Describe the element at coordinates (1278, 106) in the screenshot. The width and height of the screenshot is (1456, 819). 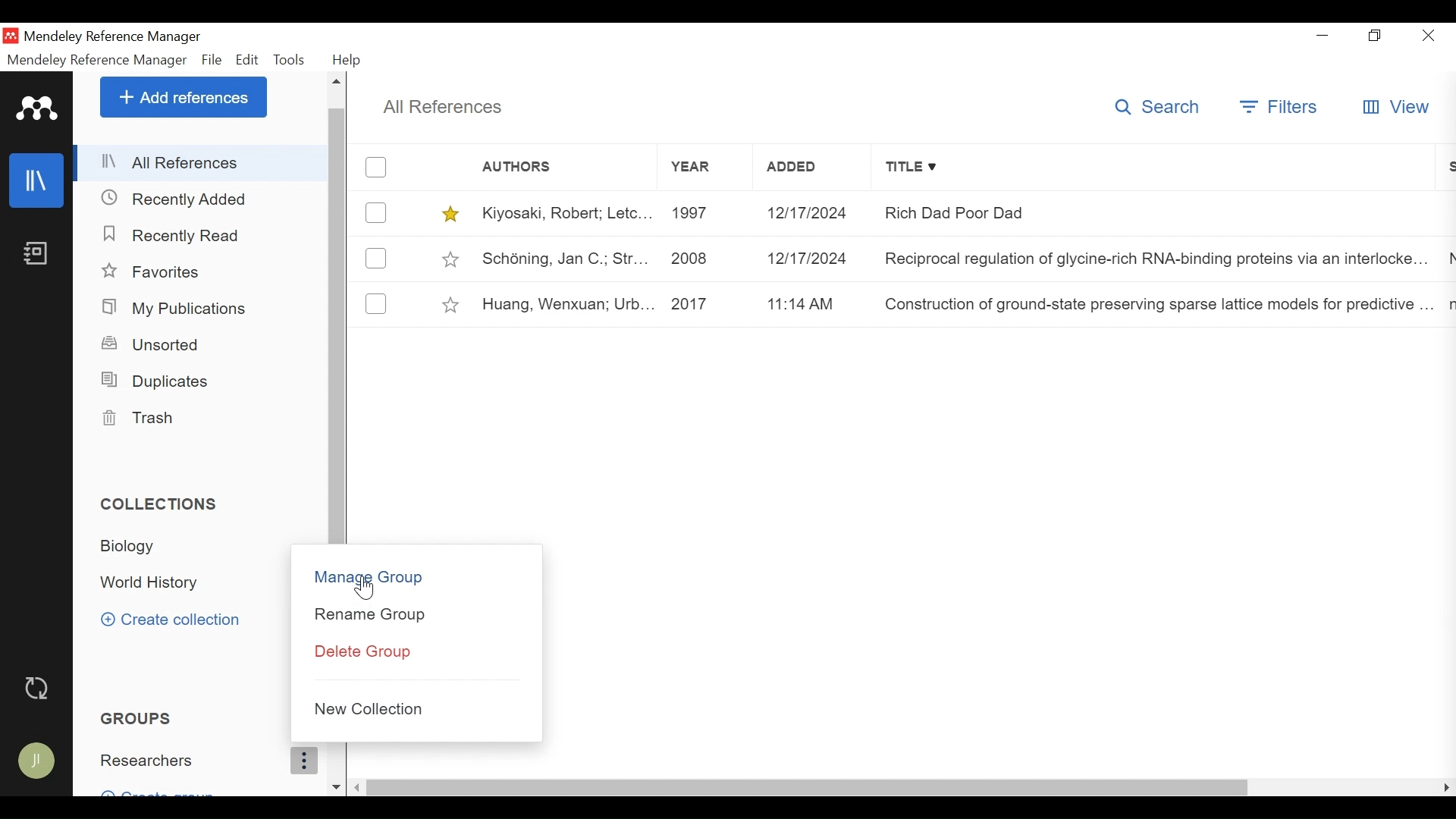
I see `Filters` at that location.